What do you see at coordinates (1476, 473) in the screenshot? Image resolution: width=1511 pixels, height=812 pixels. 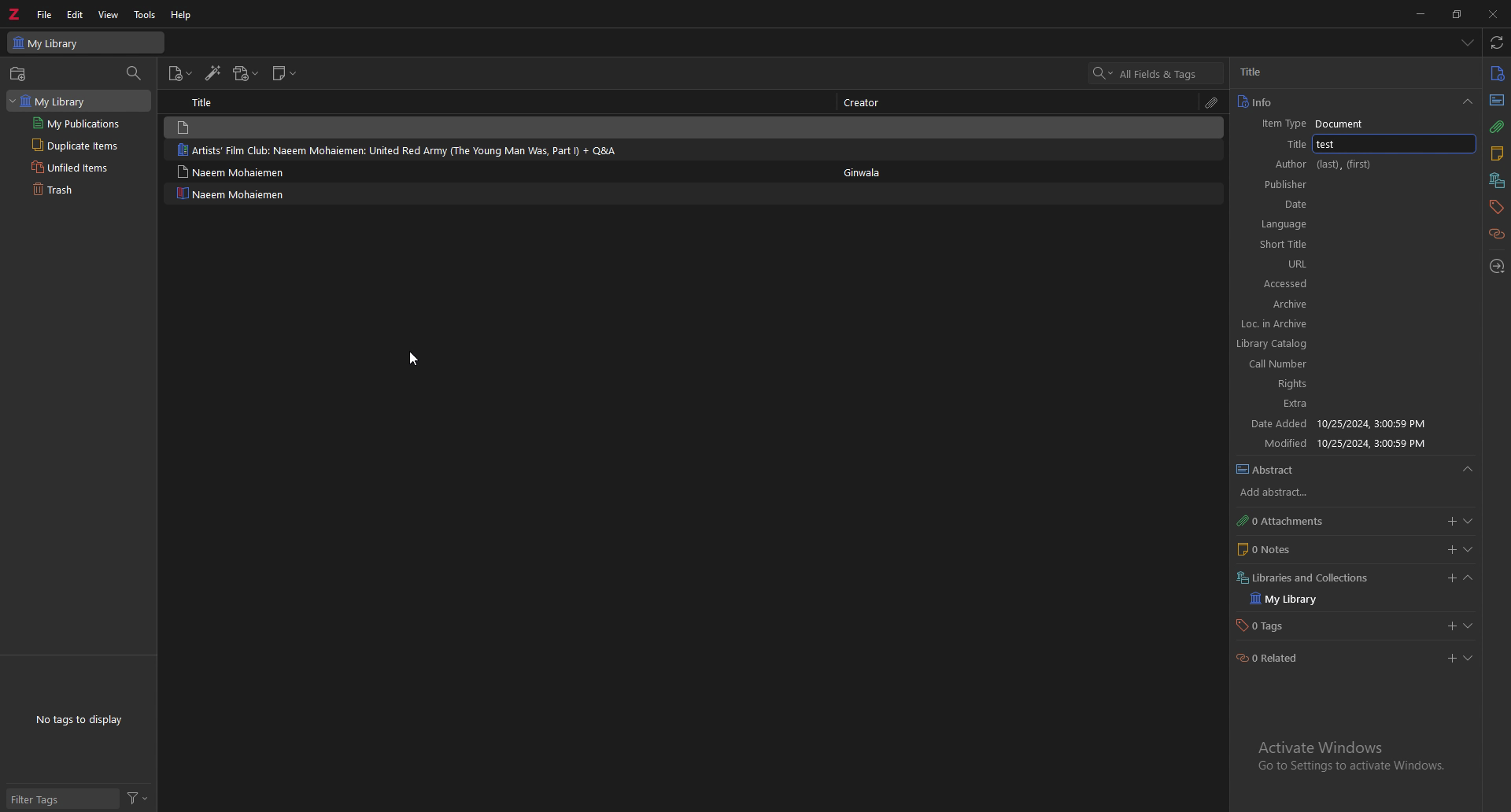 I see `Menu` at bounding box center [1476, 473].